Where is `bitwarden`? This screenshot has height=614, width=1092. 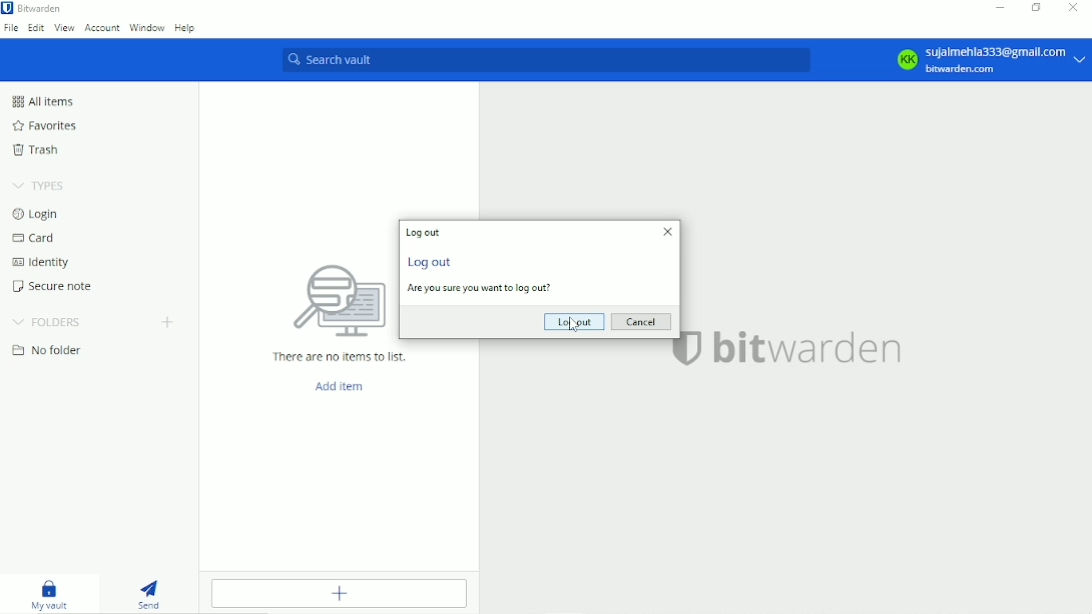
bitwarden is located at coordinates (810, 348).